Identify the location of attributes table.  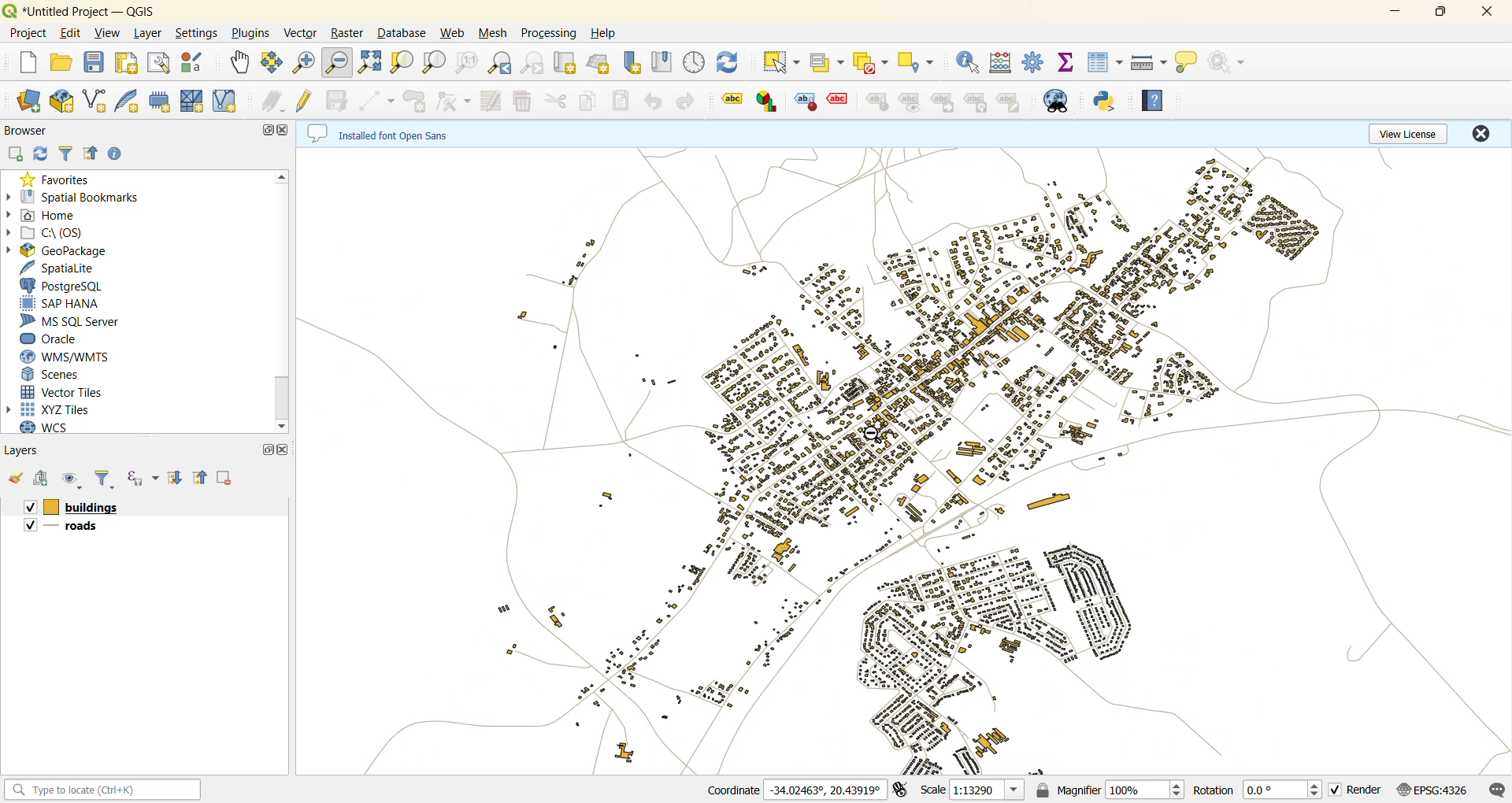
(1105, 62).